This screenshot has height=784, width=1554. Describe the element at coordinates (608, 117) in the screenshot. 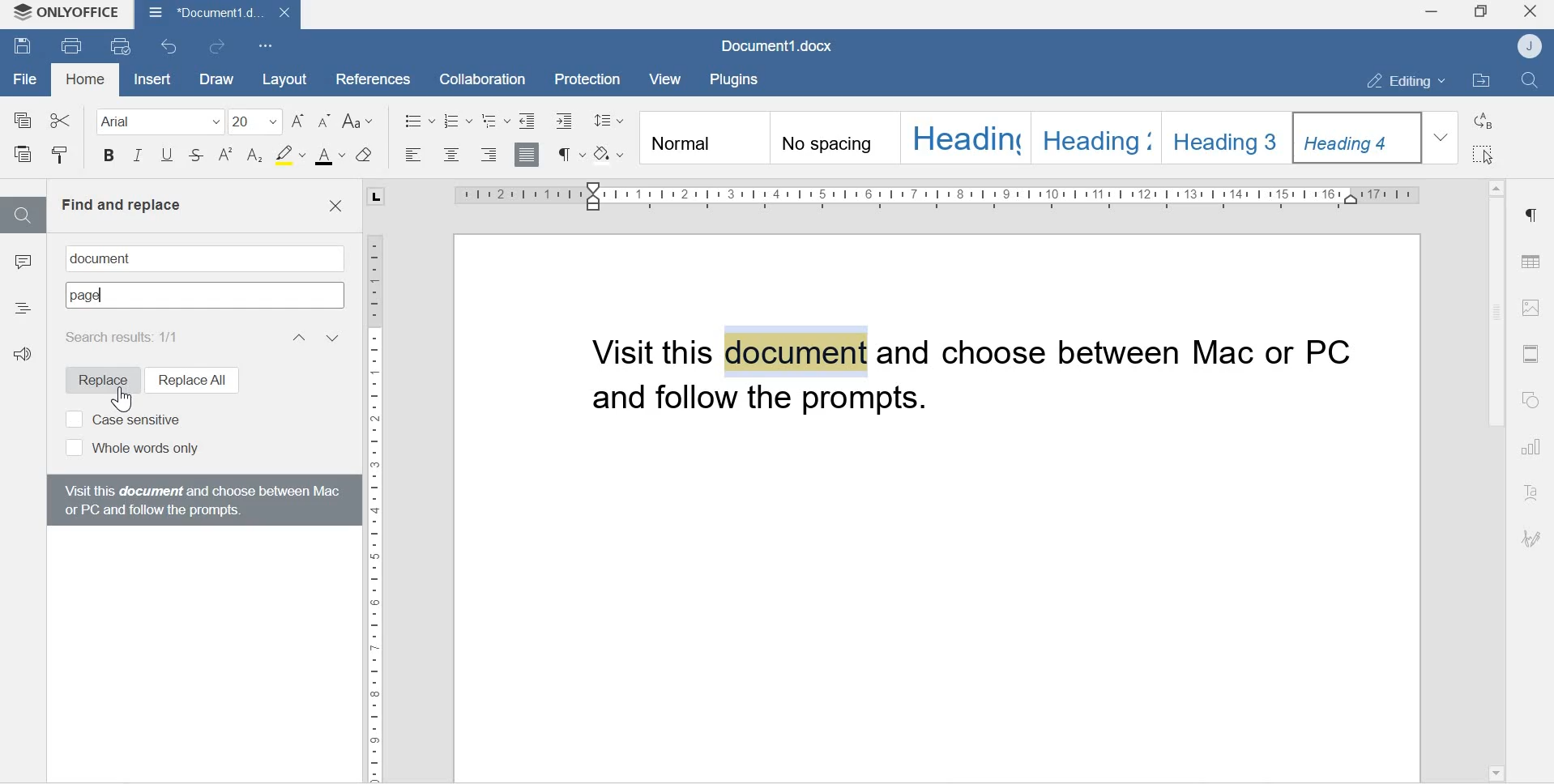

I see `Paragraph line spacing` at that location.